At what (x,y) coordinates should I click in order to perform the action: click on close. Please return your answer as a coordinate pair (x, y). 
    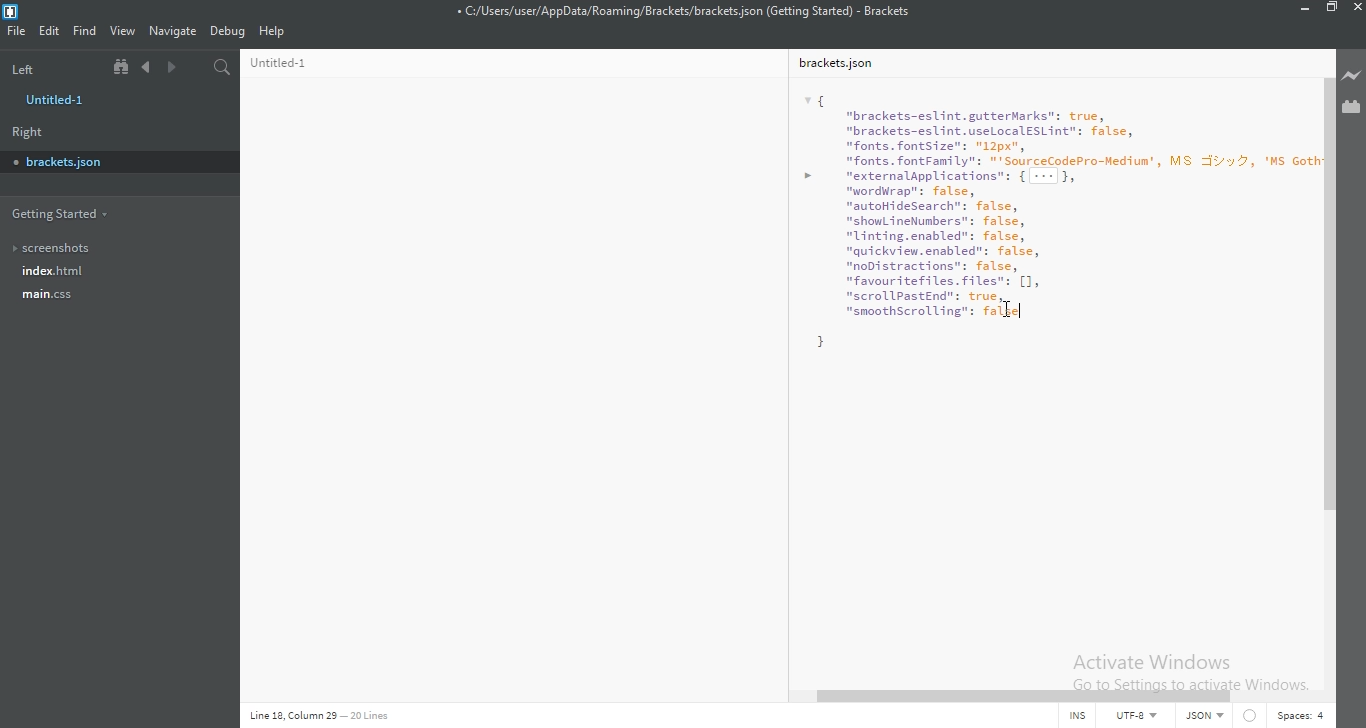
    Looking at the image, I should click on (1357, 7).